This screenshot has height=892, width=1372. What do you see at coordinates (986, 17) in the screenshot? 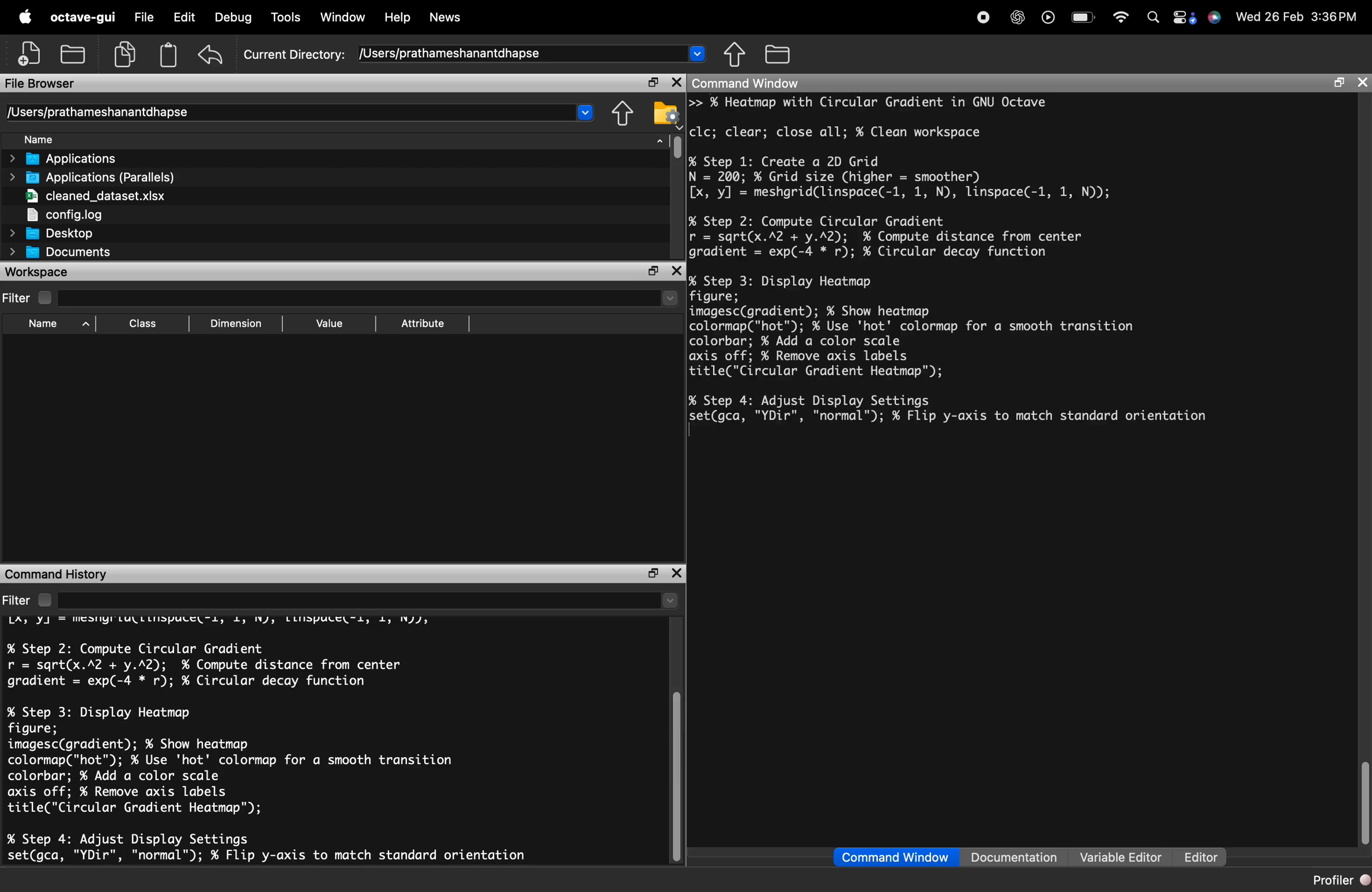
I see `recording` at bounding box center [986, 17].